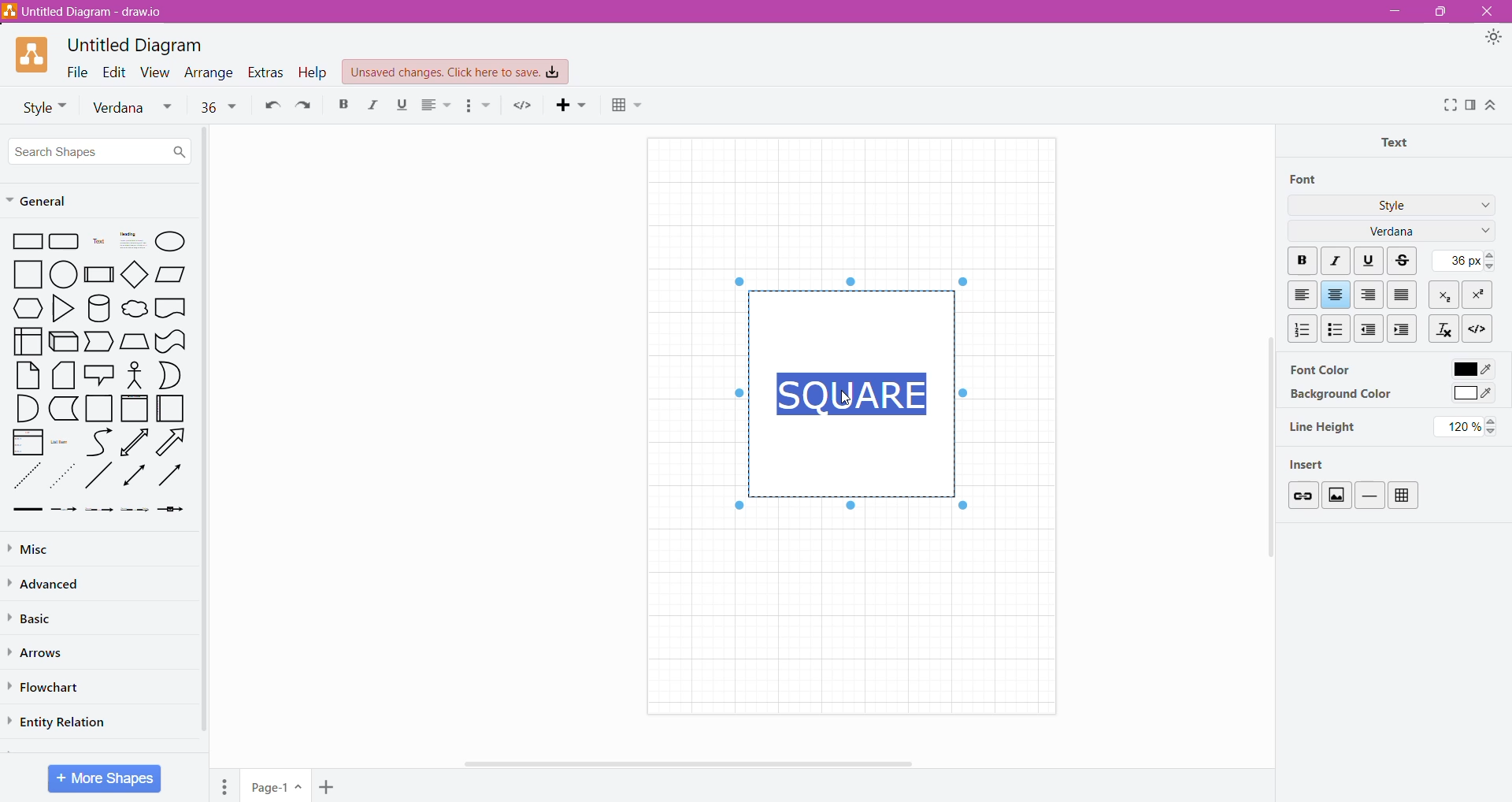 The image size is (1512, 802). Describe the element at coordinates (63, 340) in the screenshot. I see `3D Rectangle` at that location.